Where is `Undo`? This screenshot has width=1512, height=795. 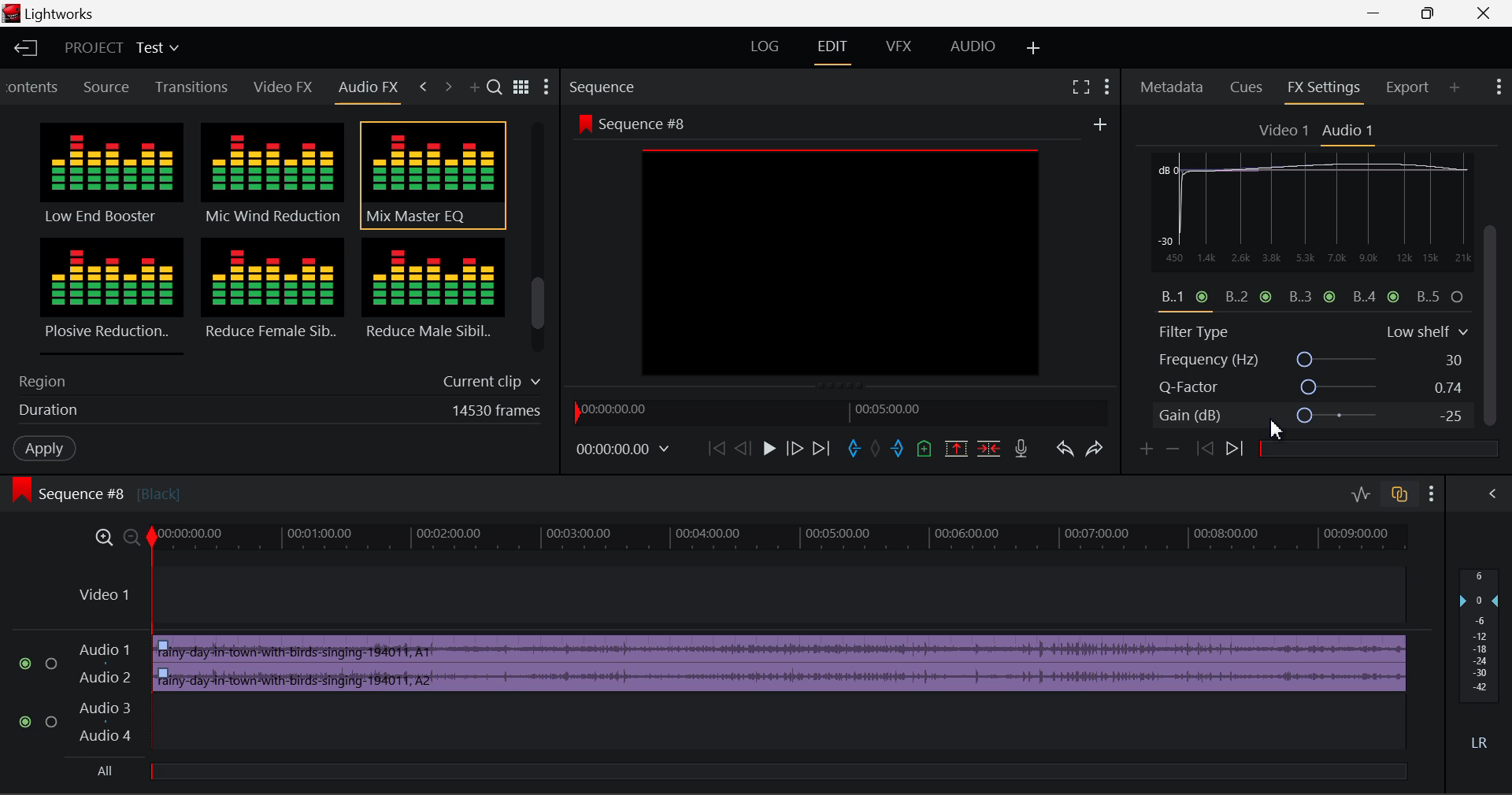 Undo is located at coordinates (1067, 453).